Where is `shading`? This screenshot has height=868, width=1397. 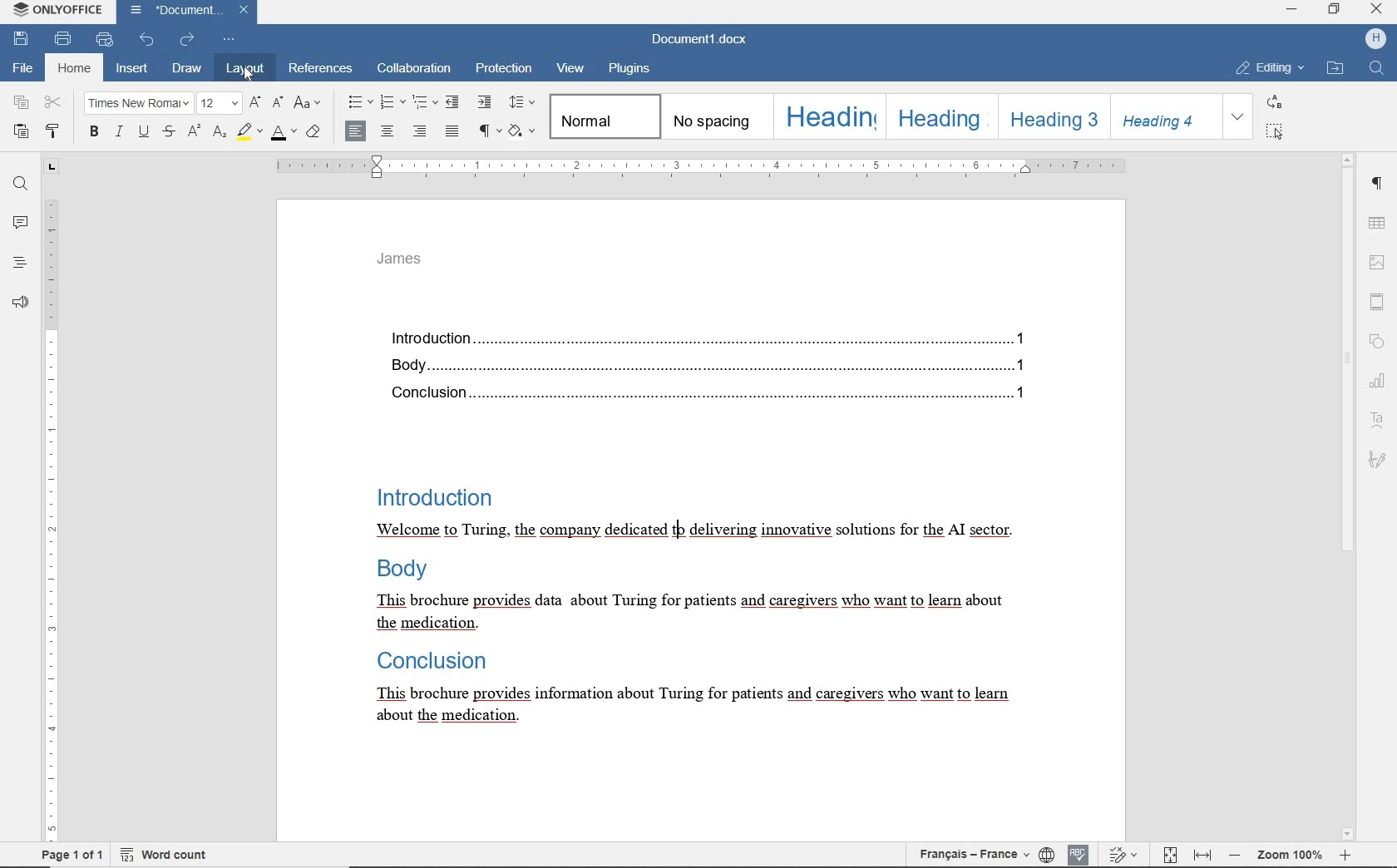 shading is located at coordinates (524, 131).